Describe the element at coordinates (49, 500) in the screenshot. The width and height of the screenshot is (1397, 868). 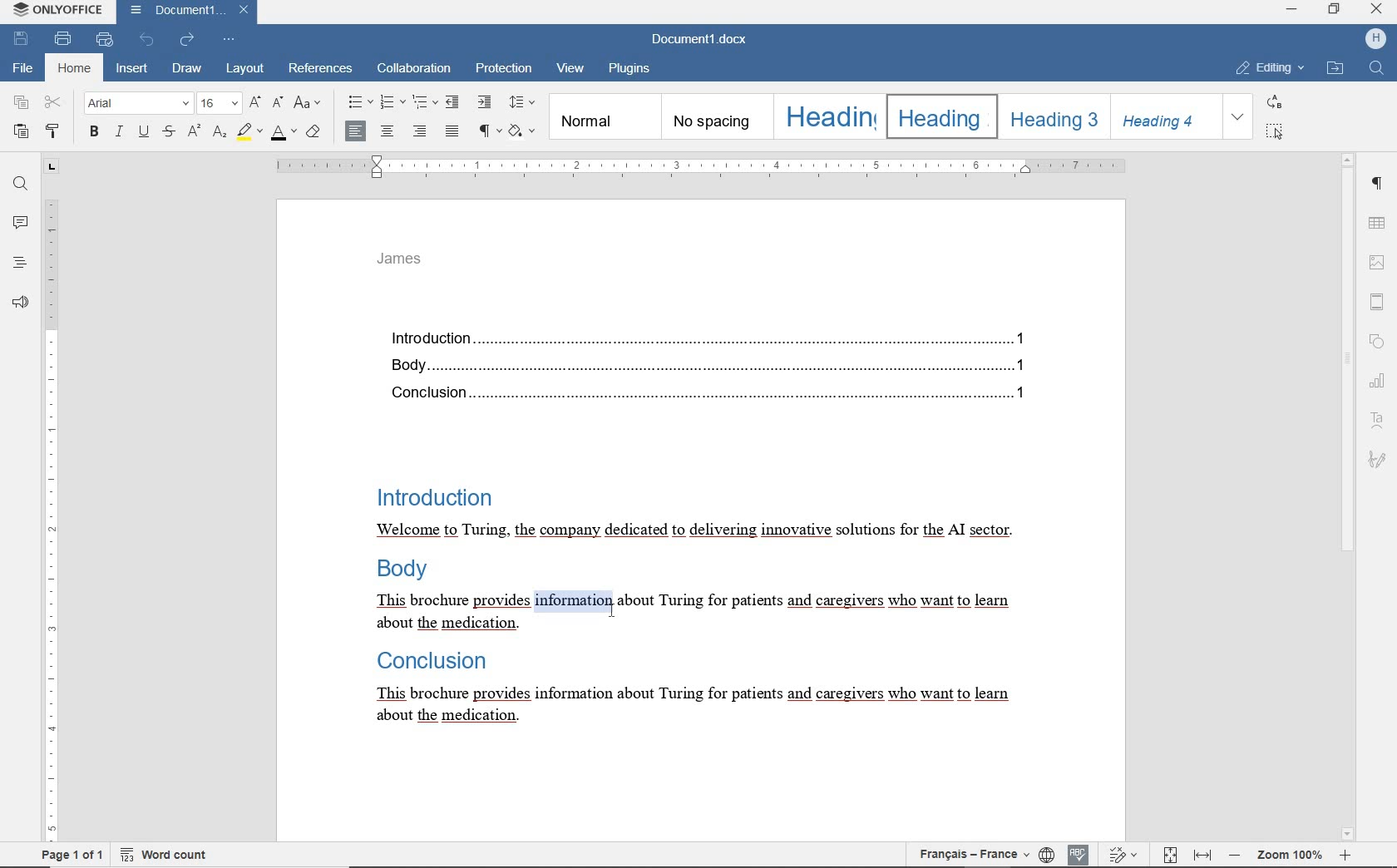
I see `RULER` at that location.